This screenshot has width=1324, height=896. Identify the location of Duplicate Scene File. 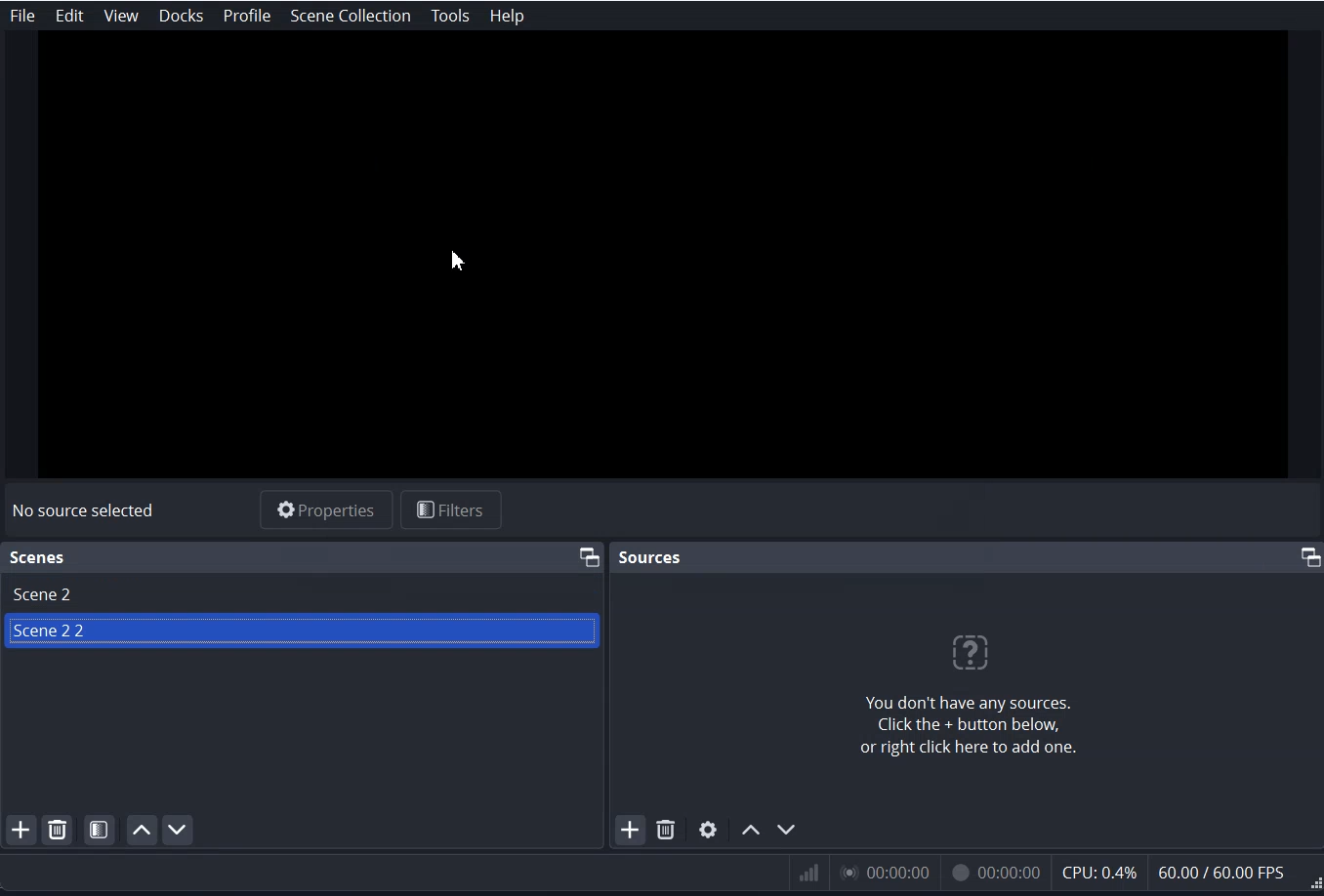
(304, 635).